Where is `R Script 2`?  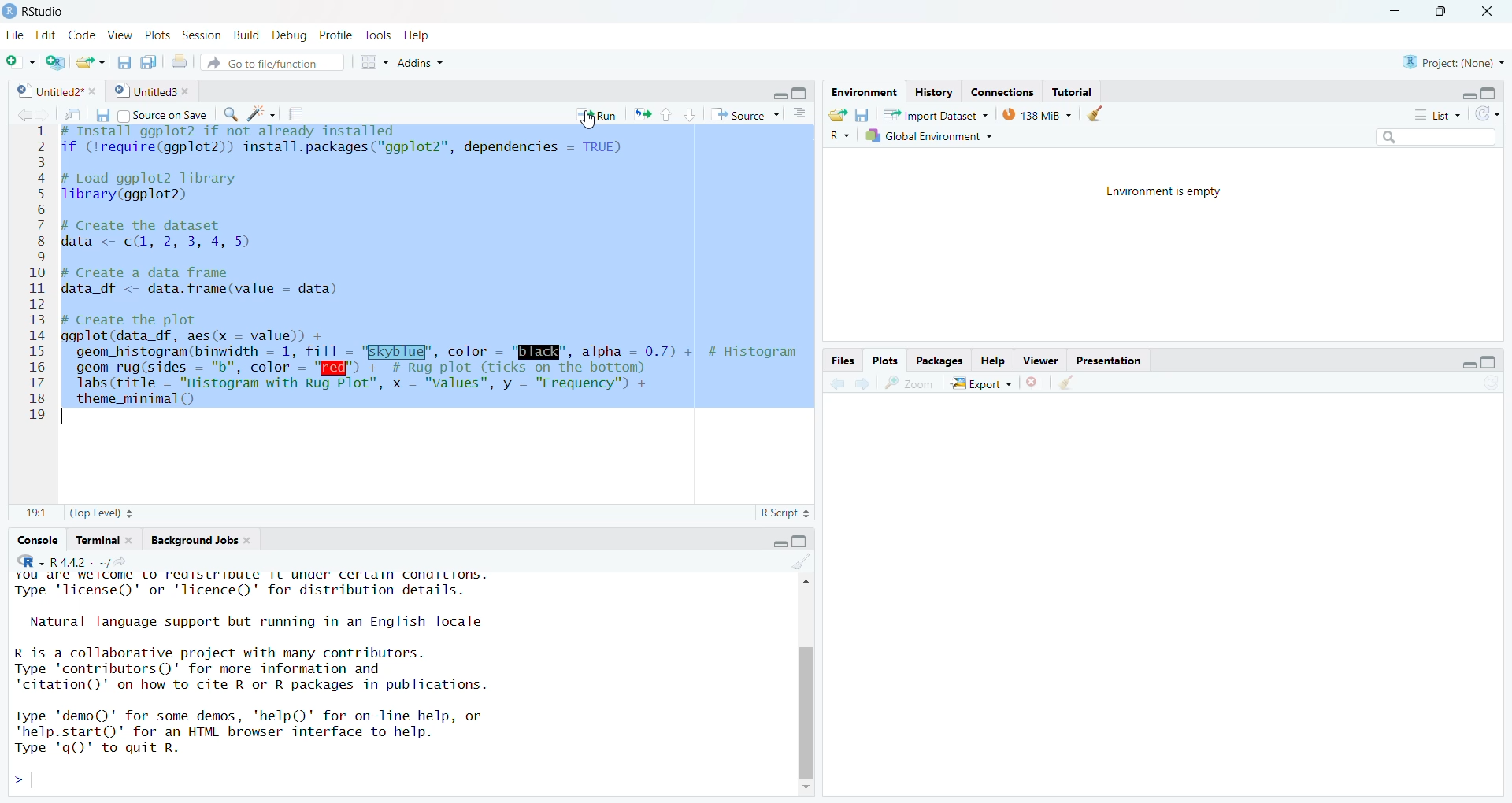 R Script 2 is located at coordinates (776, 513).